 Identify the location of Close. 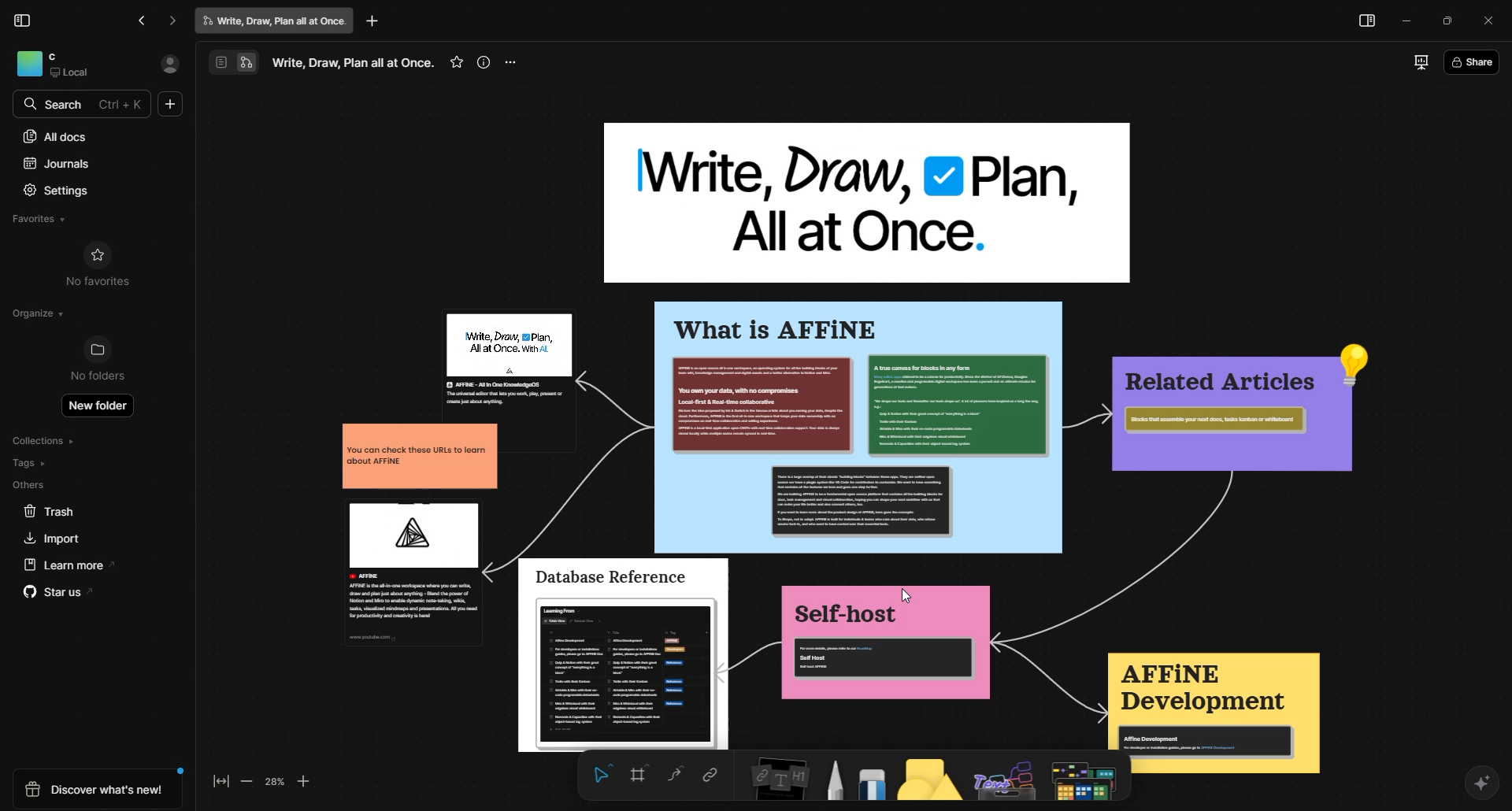
(1488, 21).